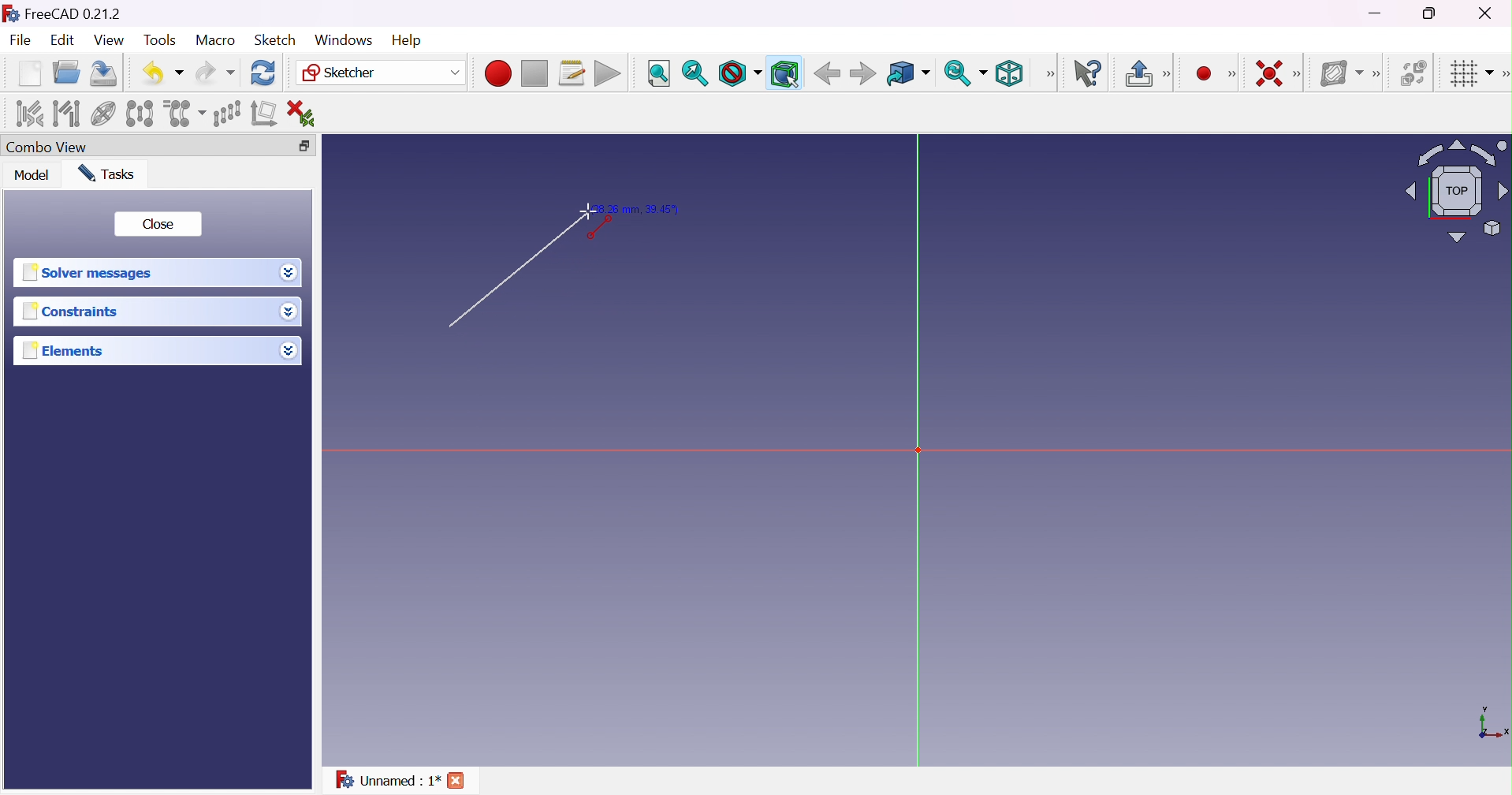 The image size is (1512, 795). Describe the element at coordinates (1415, 73) in the screenshot. I see `Switch virtual space` at that location.